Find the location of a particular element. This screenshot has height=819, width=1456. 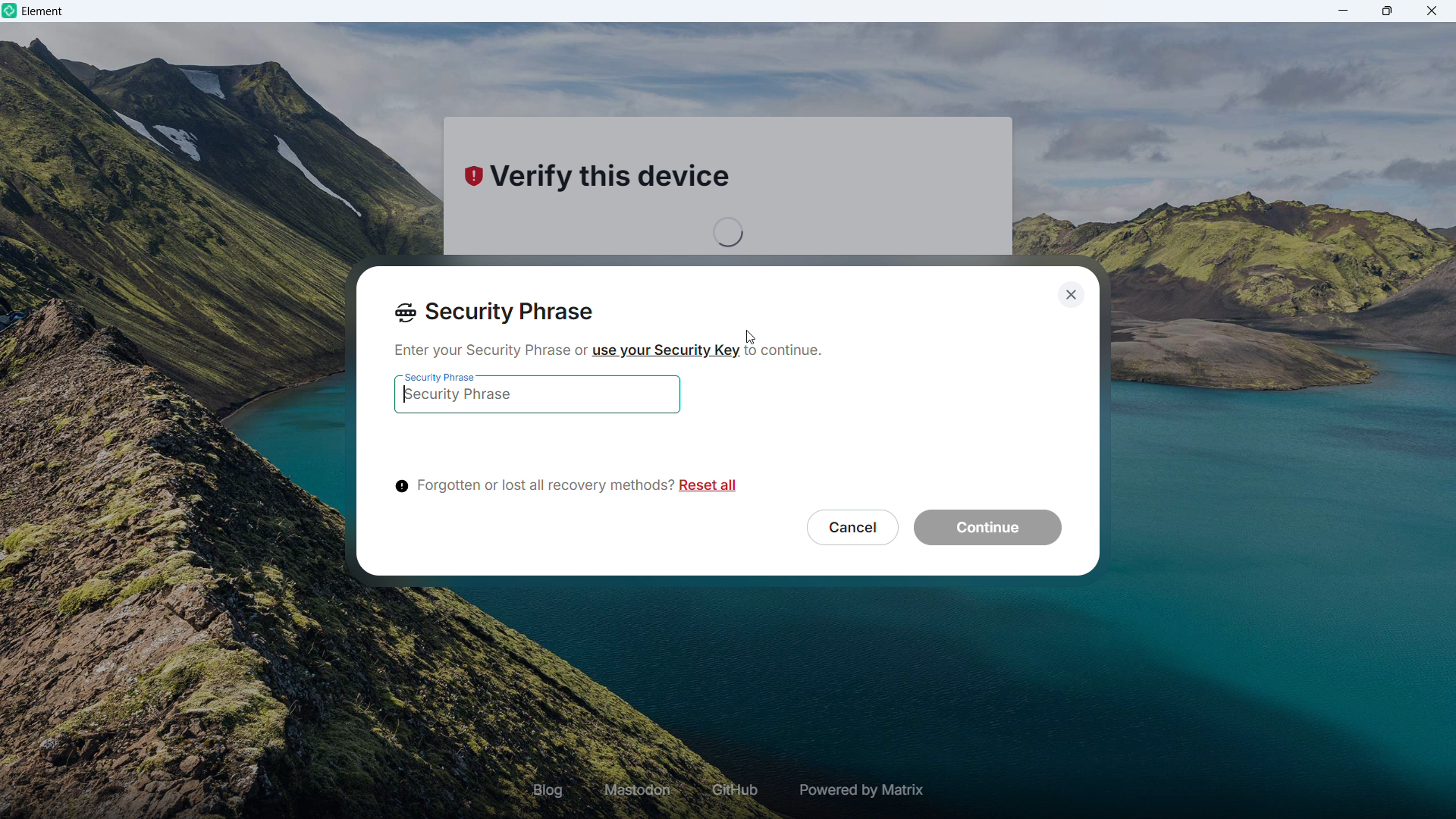

Blog  is located at coordinates (548, 789).